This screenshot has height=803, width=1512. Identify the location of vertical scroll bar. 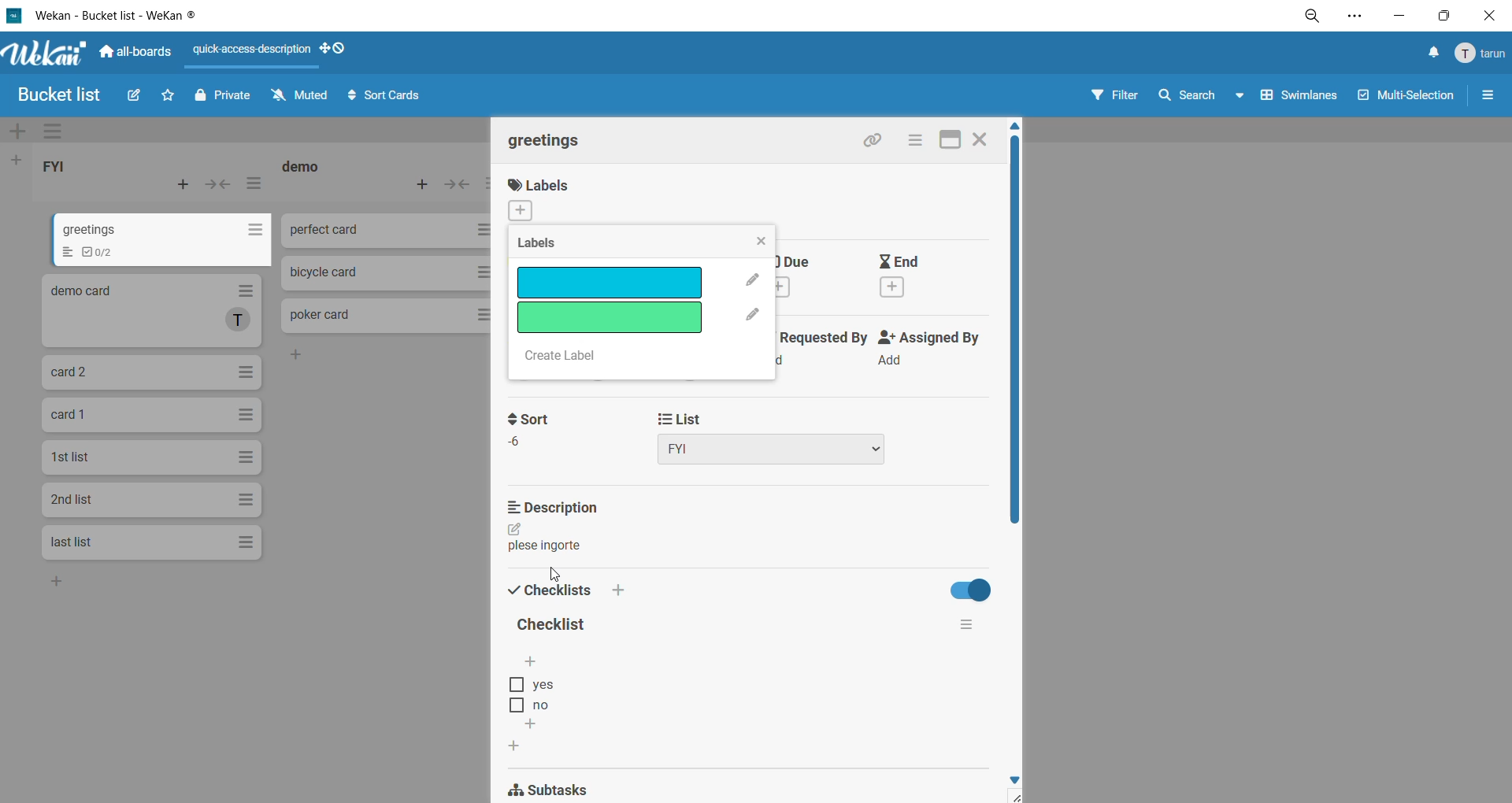
(1016, 331).